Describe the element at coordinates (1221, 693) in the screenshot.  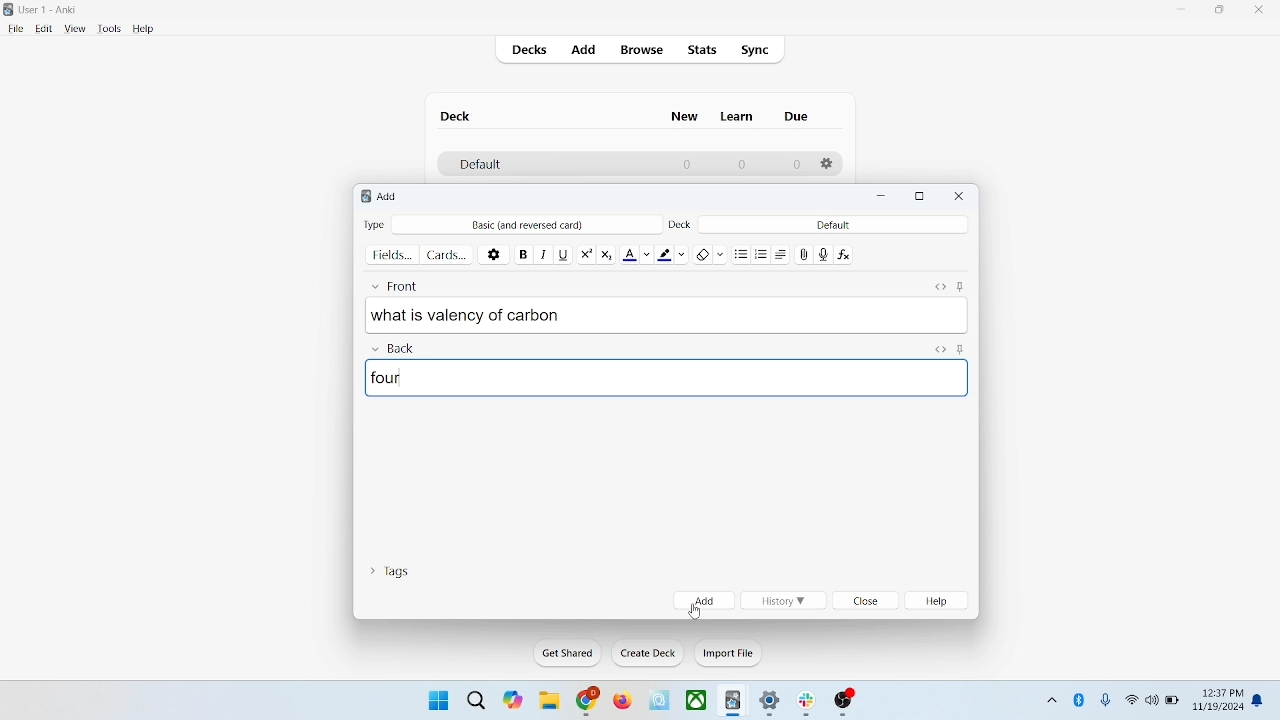
I see `12:37 PM` at that location.